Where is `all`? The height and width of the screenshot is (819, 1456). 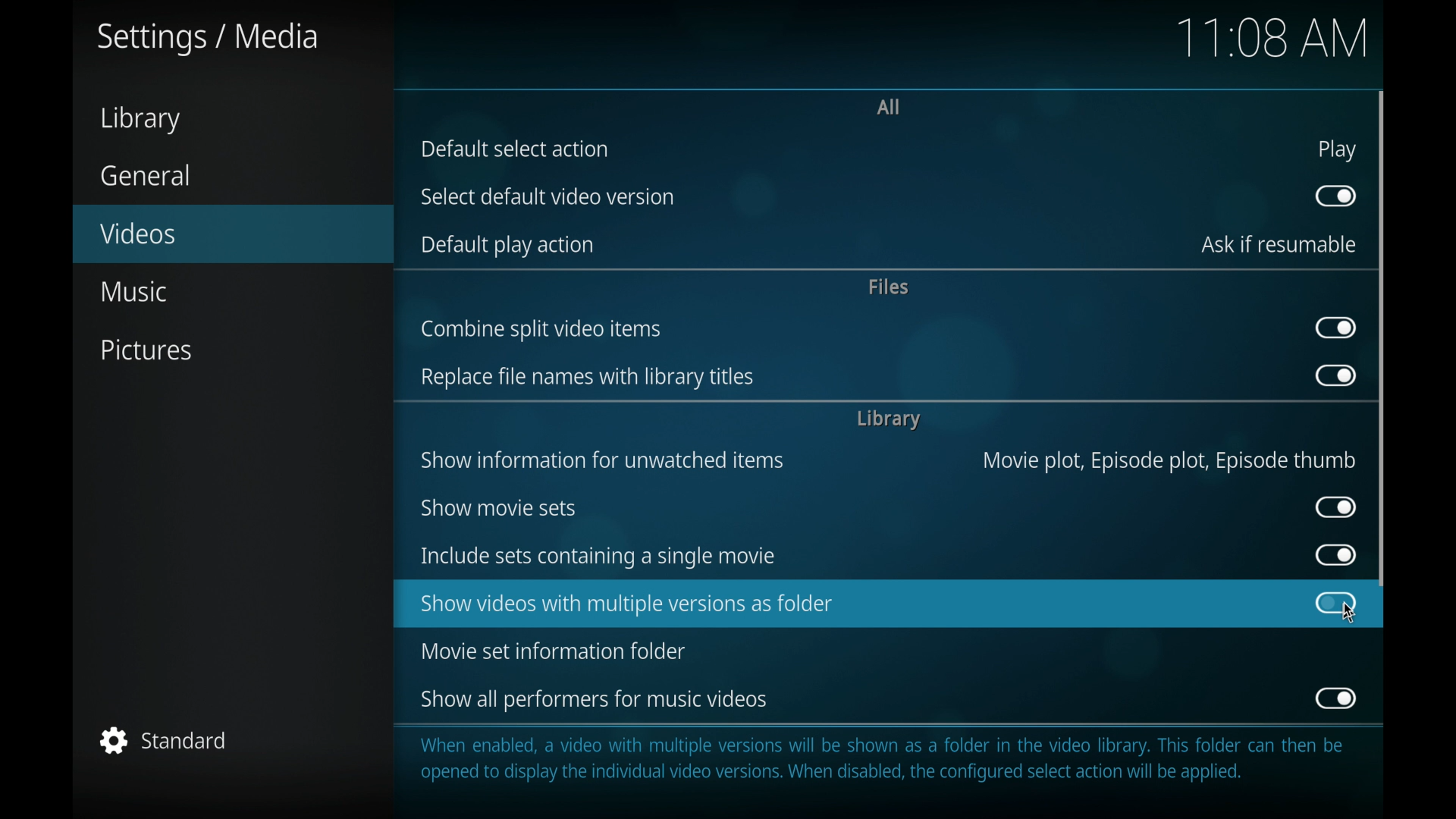 all is located at coordinates (890, 106).